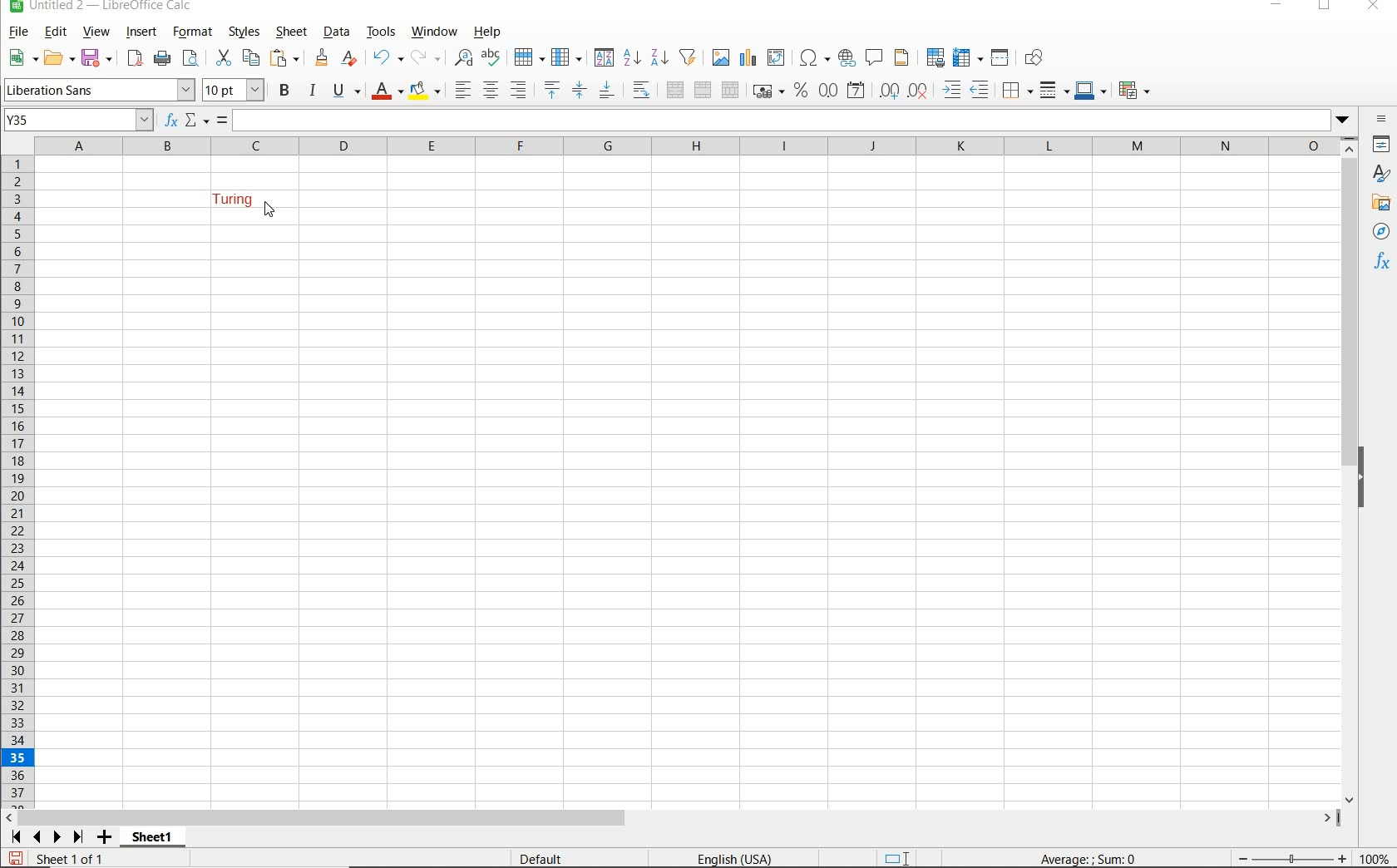 This screenshot has height=868, width=1397. Describe the element at coordinates (155, 839) in the screenshot. I see `SHEET1` at that location.